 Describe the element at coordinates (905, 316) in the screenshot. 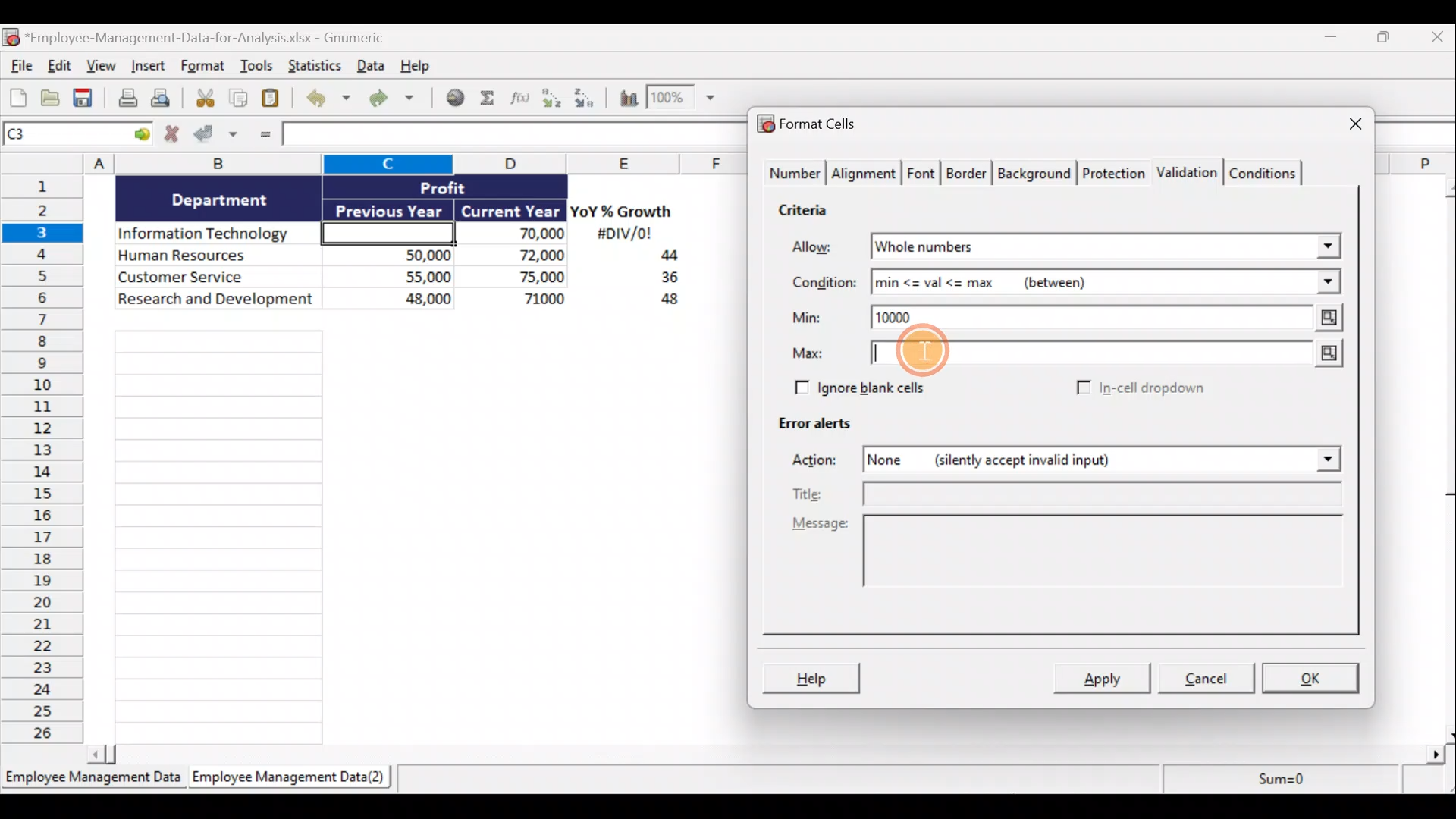

I see `10000` at that location.